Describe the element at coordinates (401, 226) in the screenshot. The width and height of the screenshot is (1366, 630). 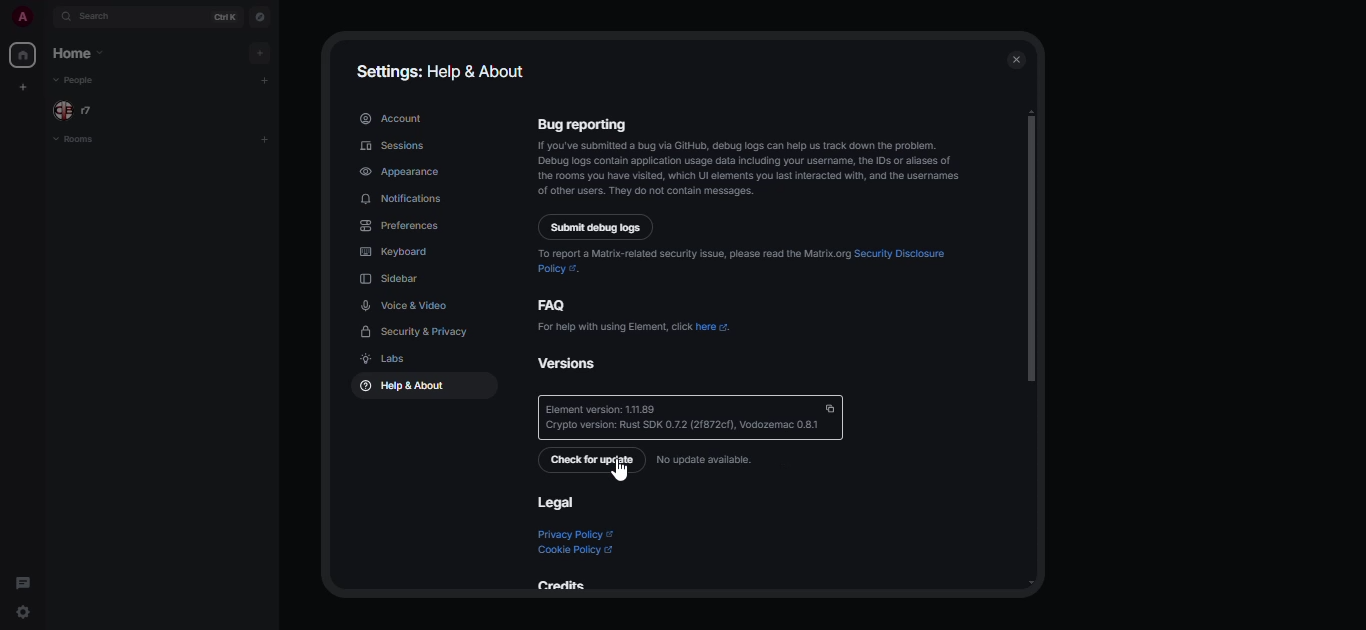
I see `preferences` at that location.